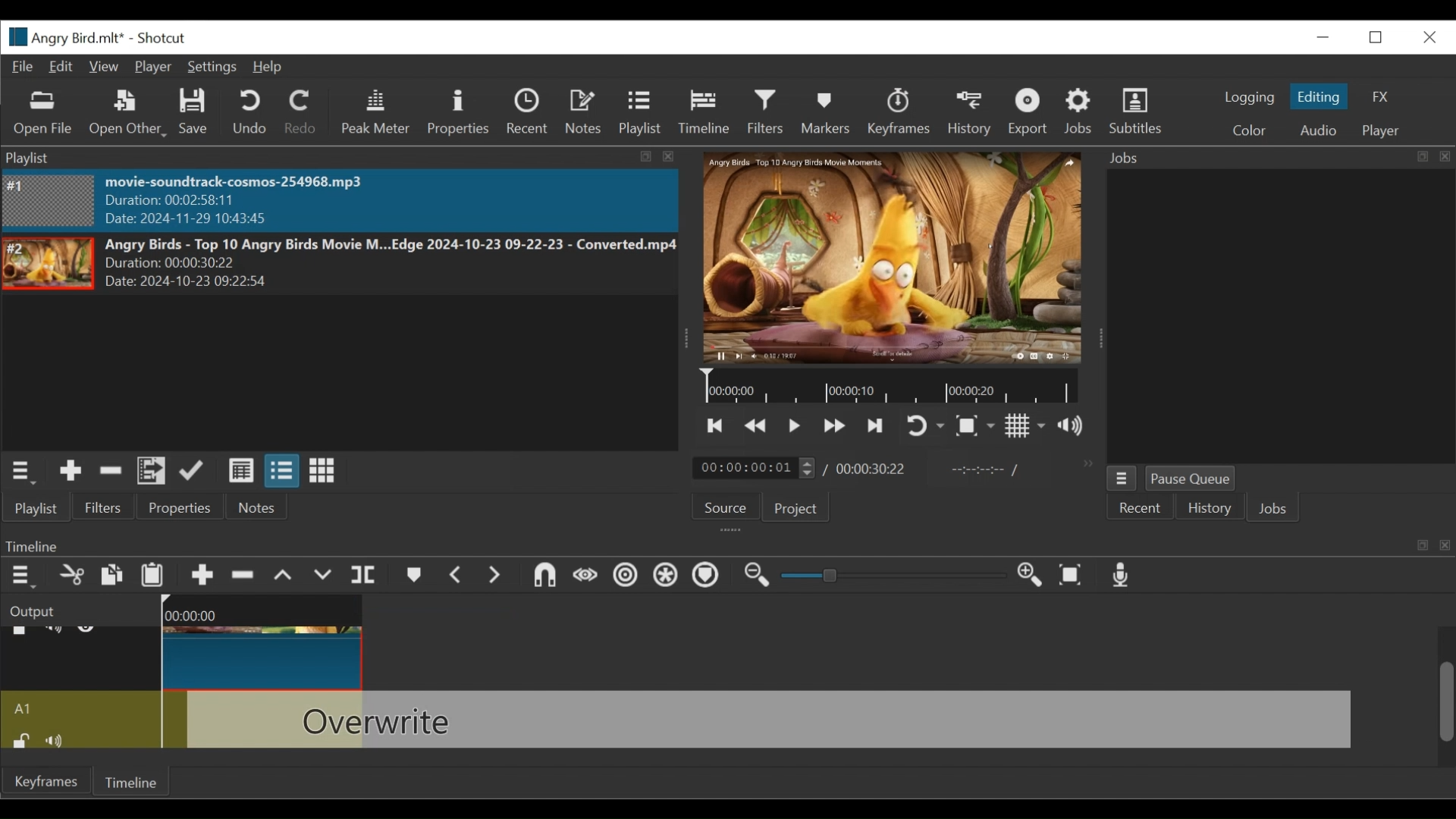  I want to click on Split Playhead, so click(363, 576).